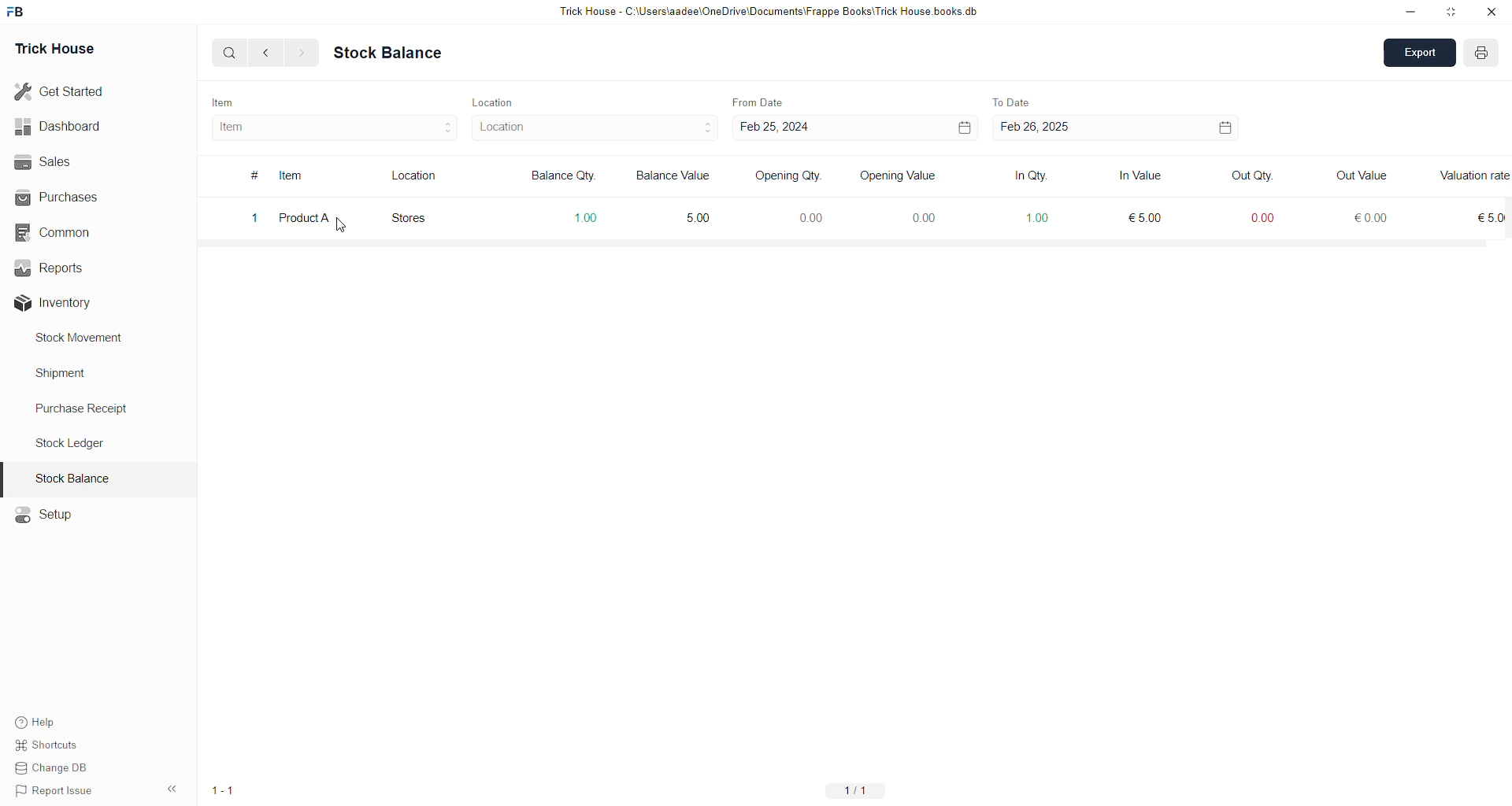  Describe the element at coordinates (50, 273) in the screenshot. I see `Reports` at that location.